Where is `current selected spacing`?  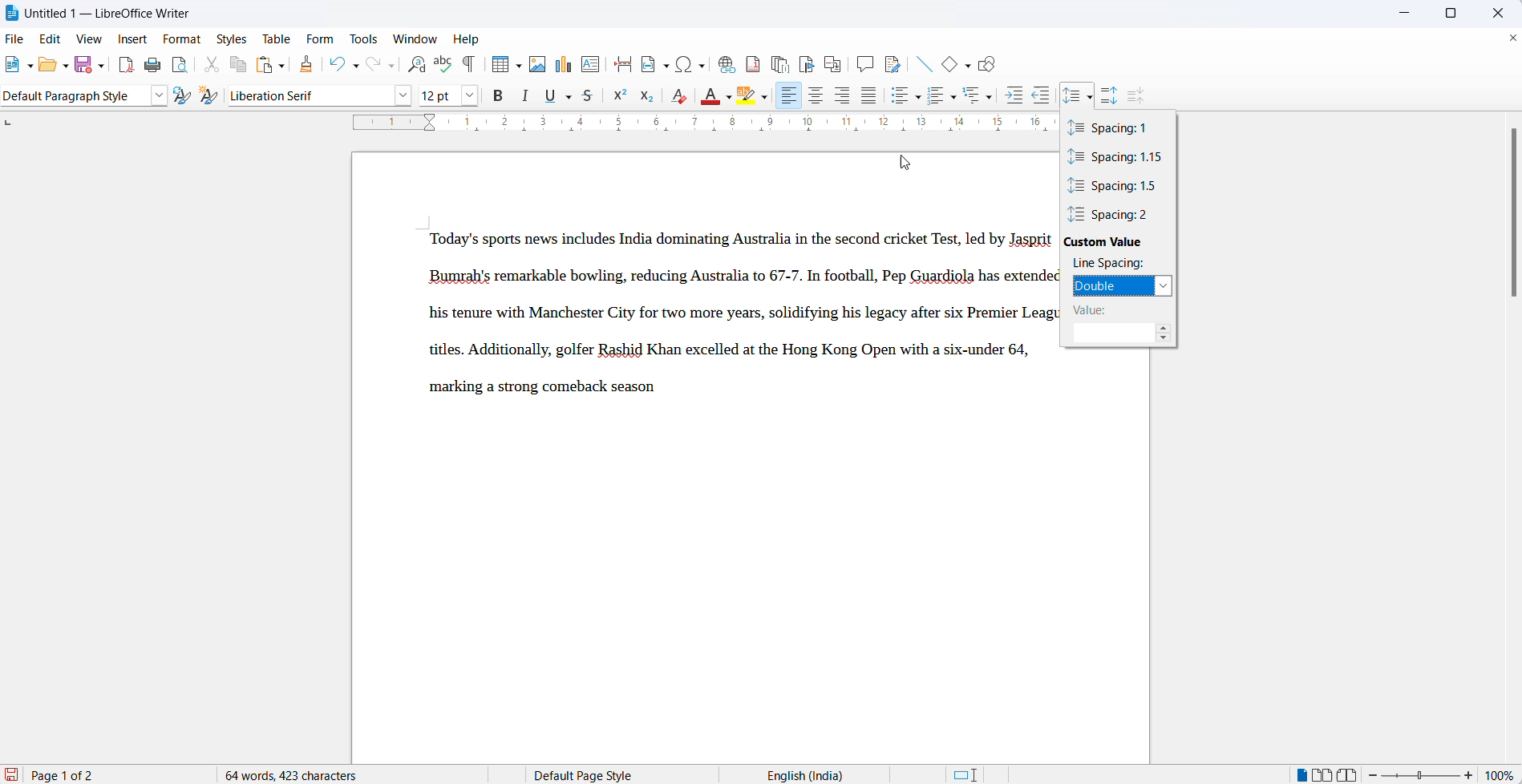
current selected spacing is located at coordinates (1110, 285).